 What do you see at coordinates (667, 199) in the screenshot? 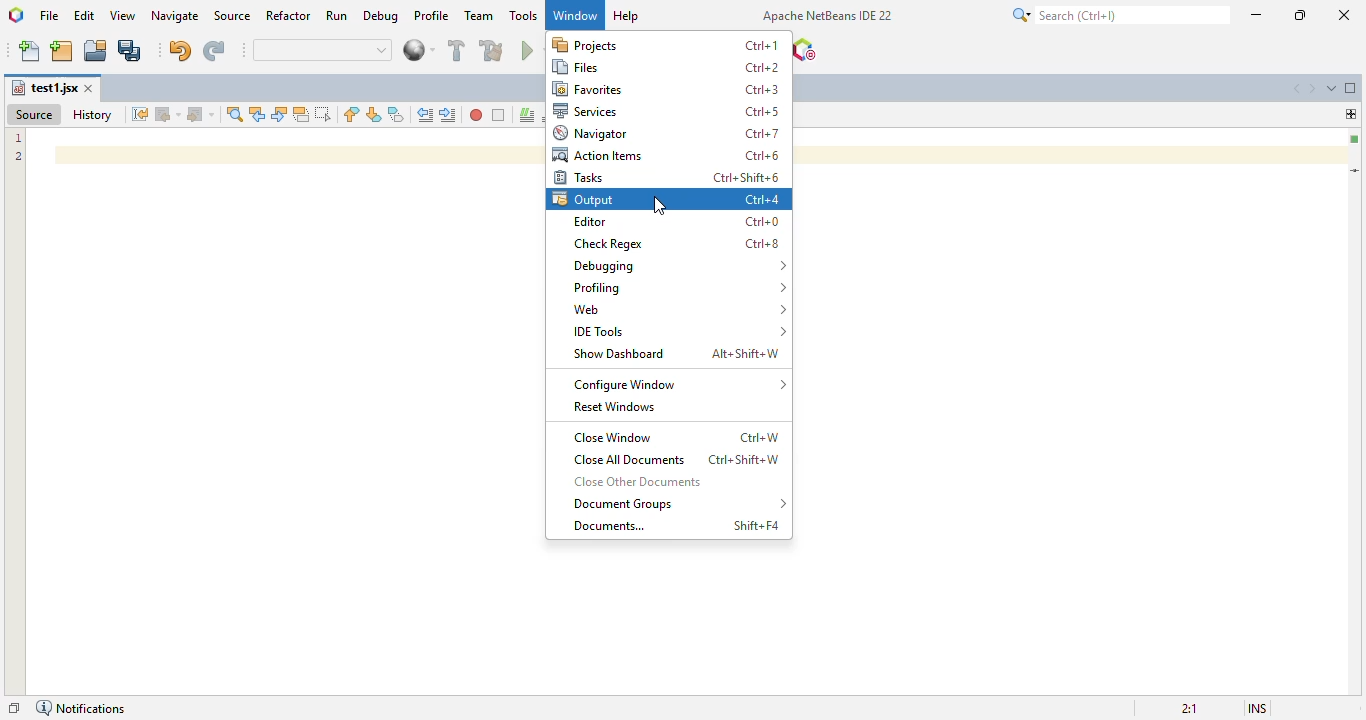
I see `output Ctrl + 4` at bounding box center [667, 199].